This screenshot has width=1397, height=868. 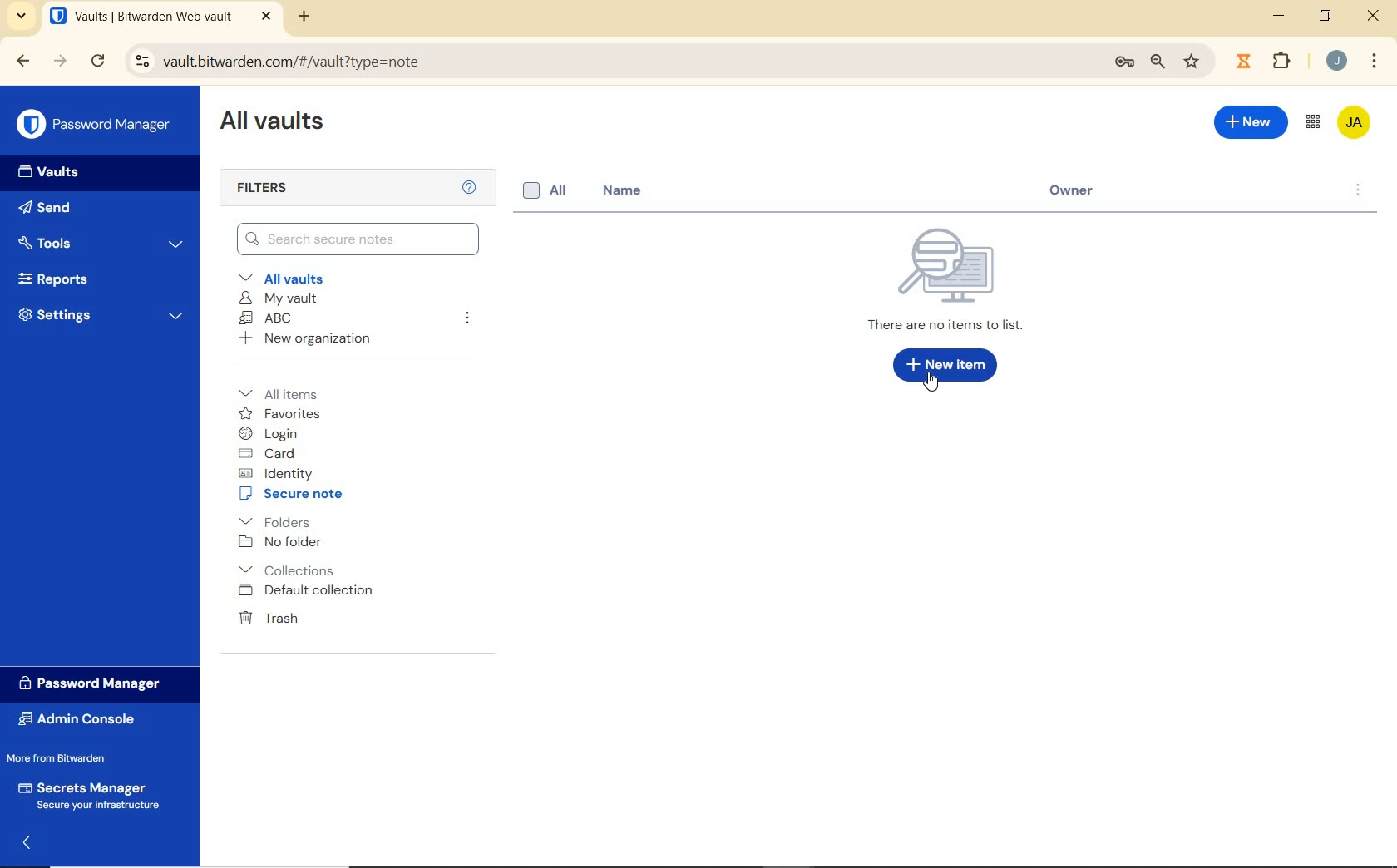 I want to click on folders, so click(x=274, y=520).